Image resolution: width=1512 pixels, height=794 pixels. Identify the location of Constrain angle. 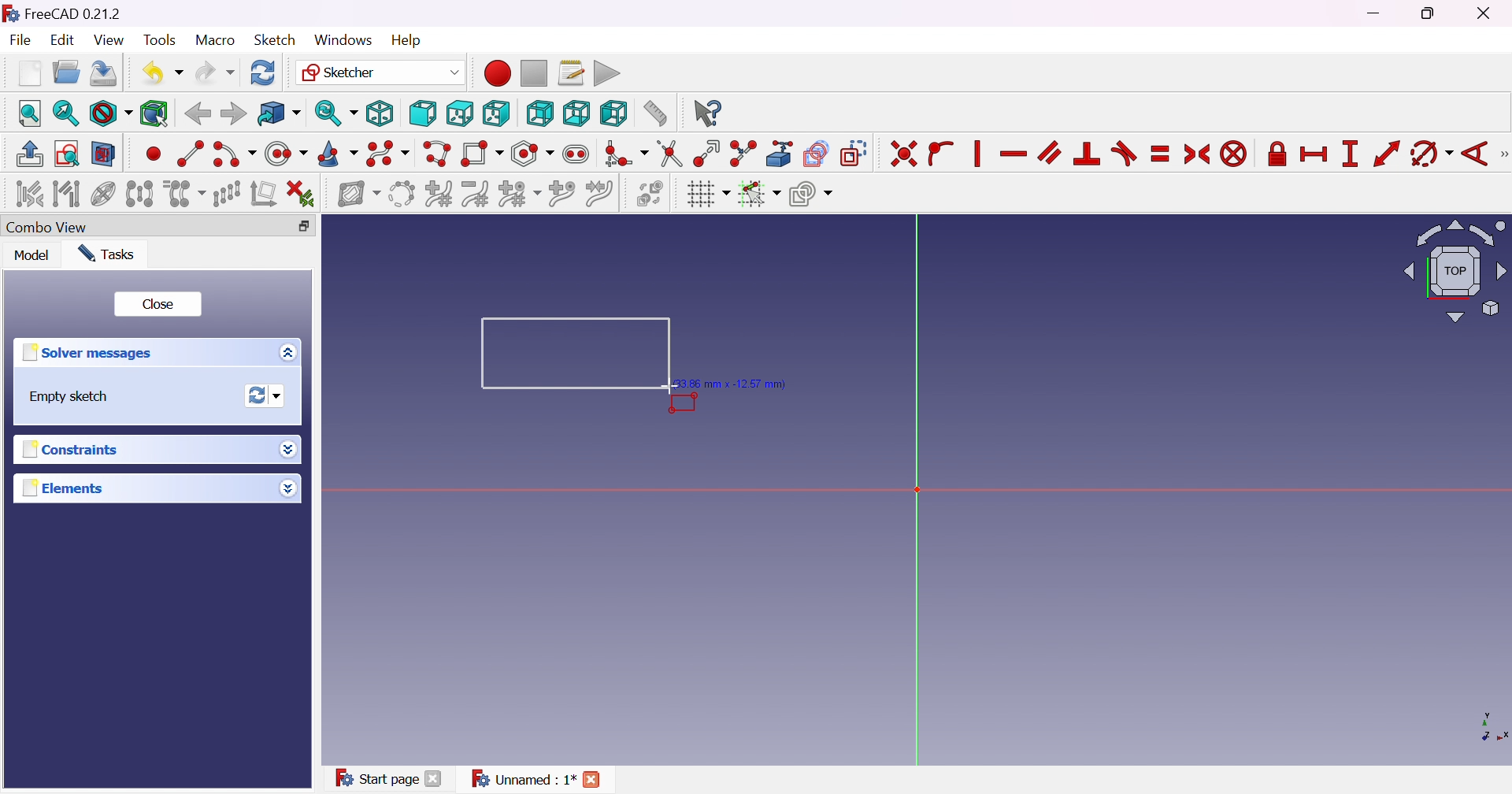
(1473, 155).